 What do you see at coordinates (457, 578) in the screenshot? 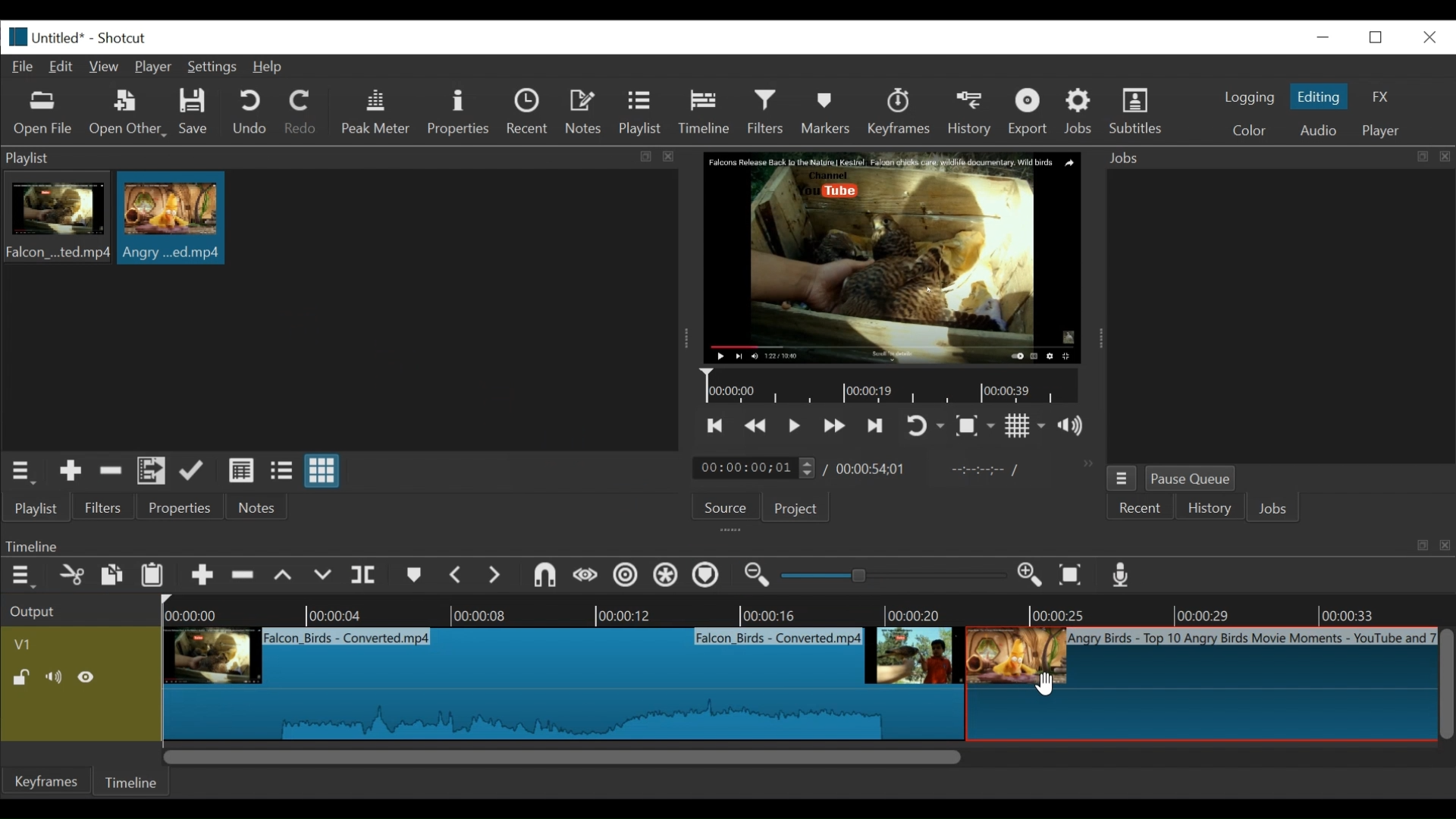
I see `Previous marker` at bounding box center [457, 578].